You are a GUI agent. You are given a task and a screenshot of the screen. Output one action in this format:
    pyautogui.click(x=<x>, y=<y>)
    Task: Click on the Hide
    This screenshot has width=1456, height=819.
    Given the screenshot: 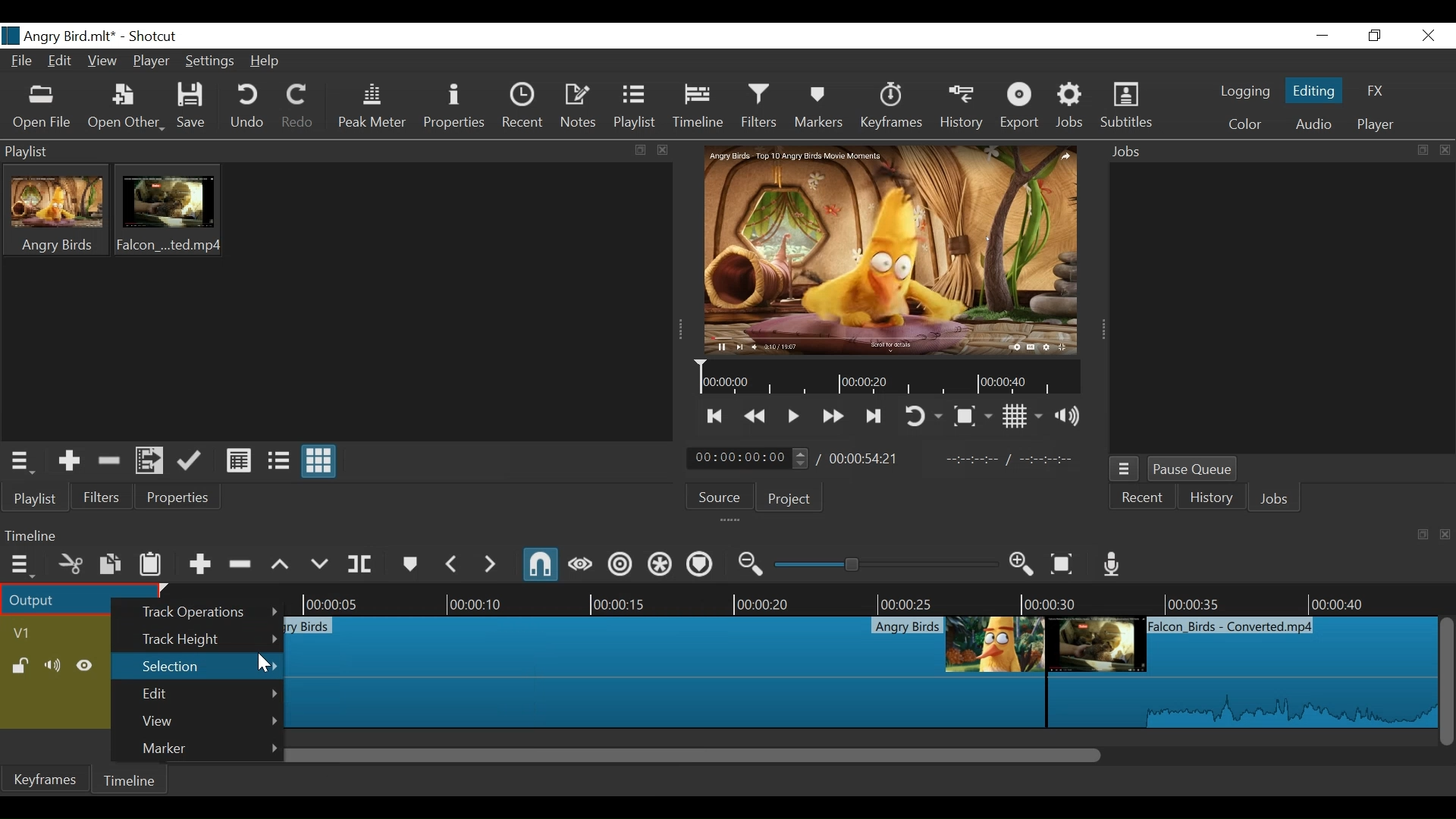 What is the action you would take?
    pyautogui.click(x=84, y=665)
    